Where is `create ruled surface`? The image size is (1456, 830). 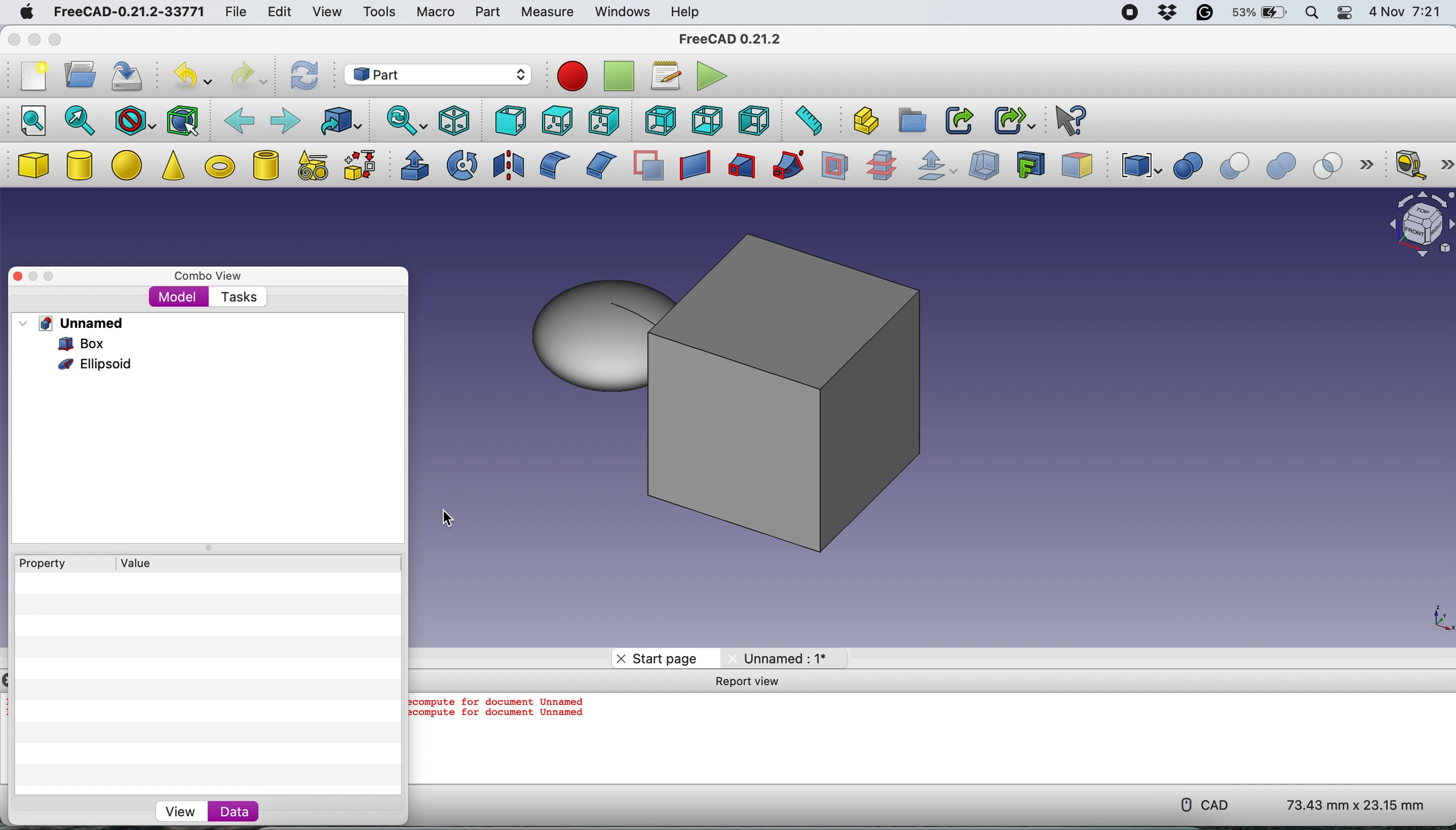
create ruled surface is located at coordinates (692, 166).